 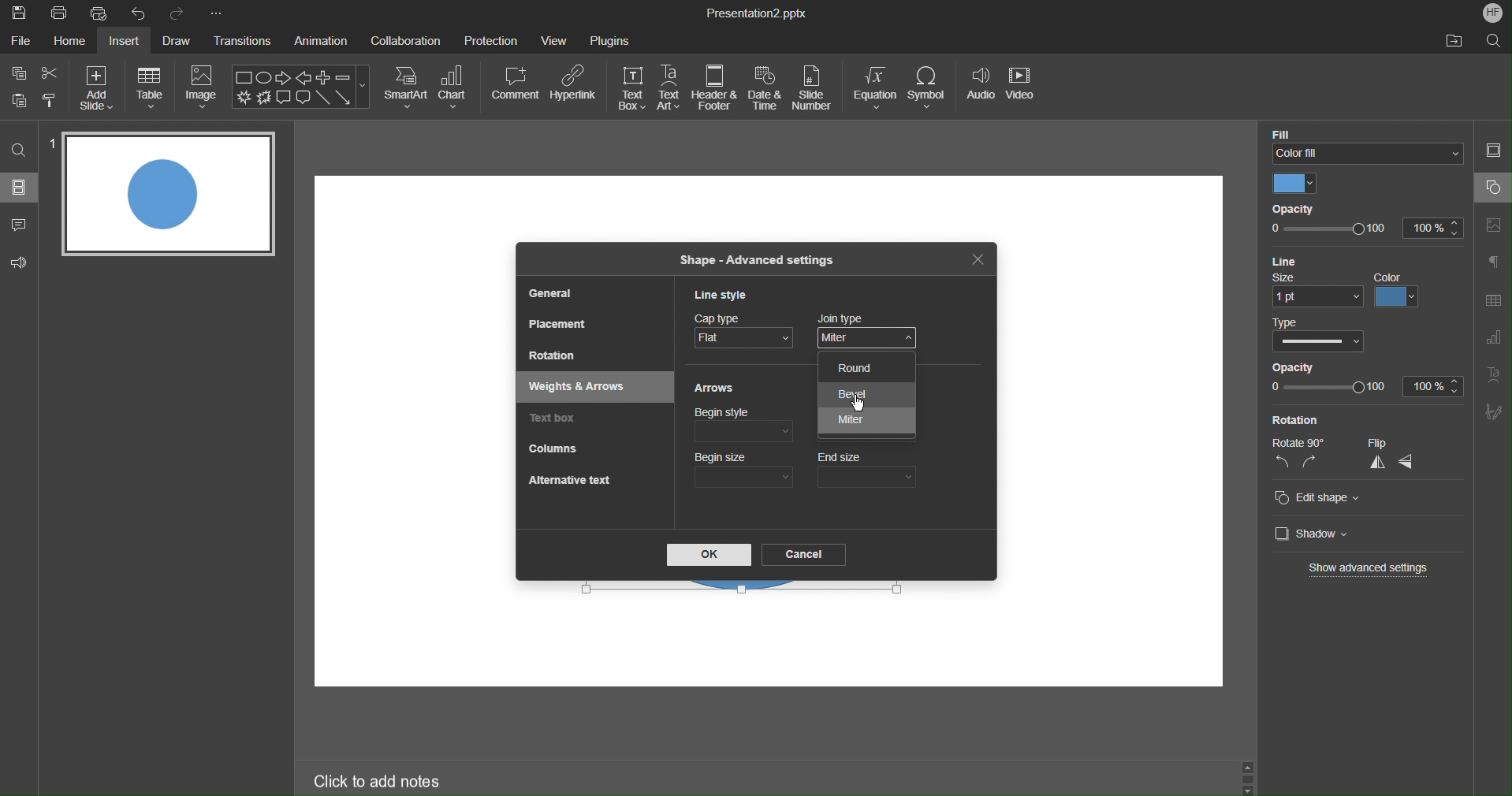 What do you see at coordinates (556, 359) in the screenshot?
I see `Rotation` at bounding box center [556, 359].